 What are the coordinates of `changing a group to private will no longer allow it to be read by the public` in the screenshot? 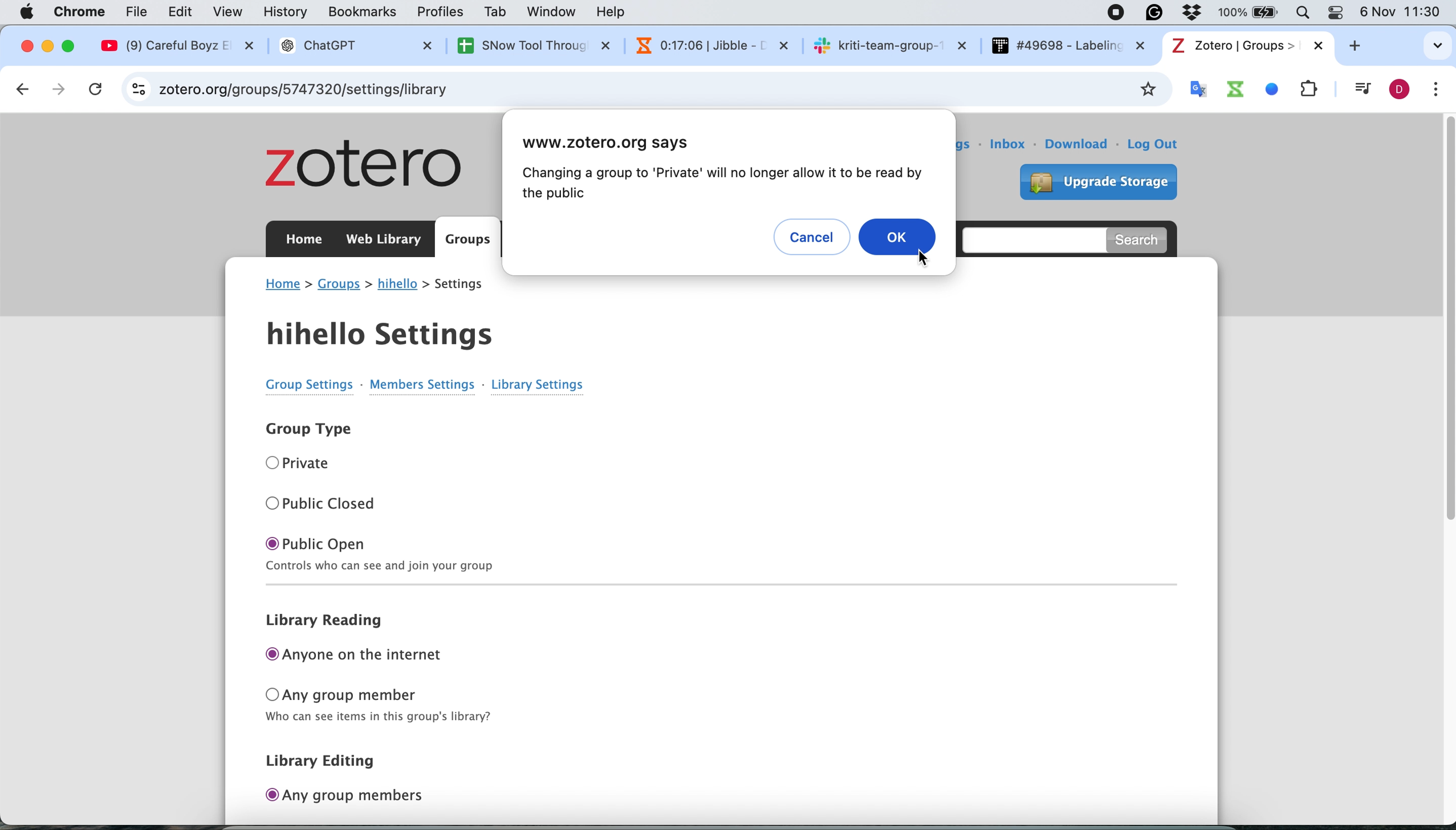 It's located at (719, 184).